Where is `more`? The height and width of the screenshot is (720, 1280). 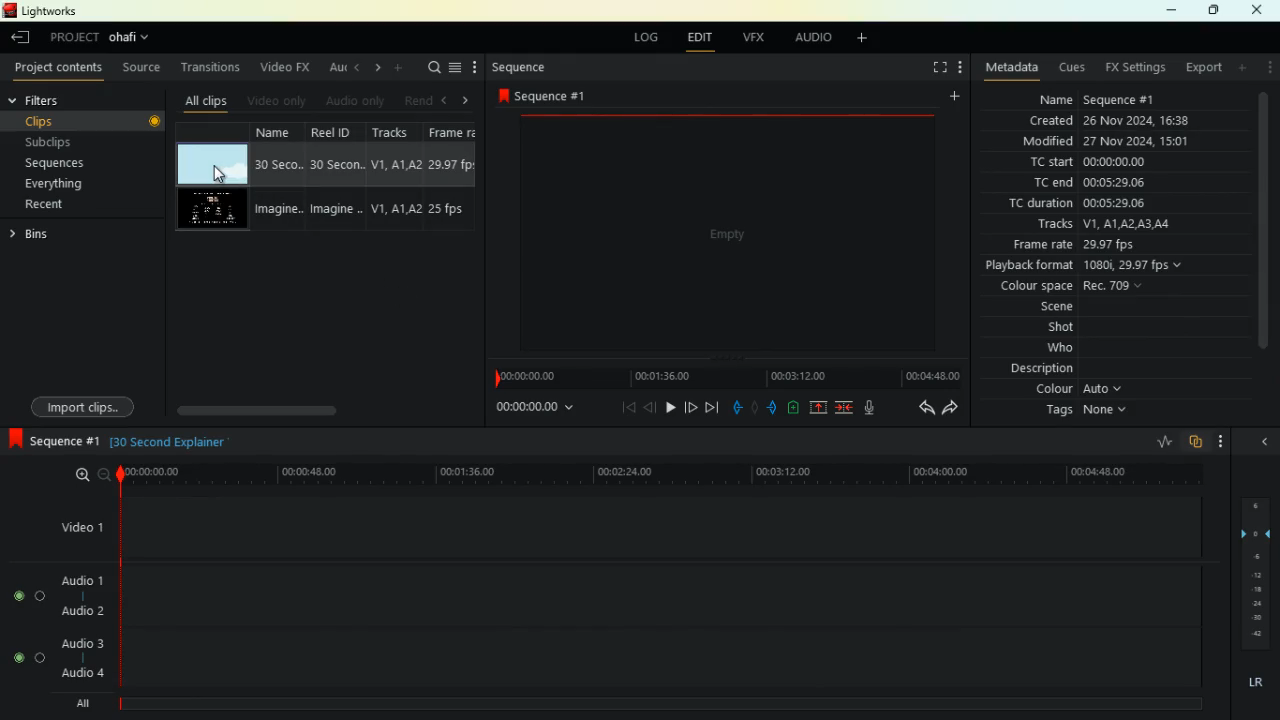 more is located at coordinates (403, 69).